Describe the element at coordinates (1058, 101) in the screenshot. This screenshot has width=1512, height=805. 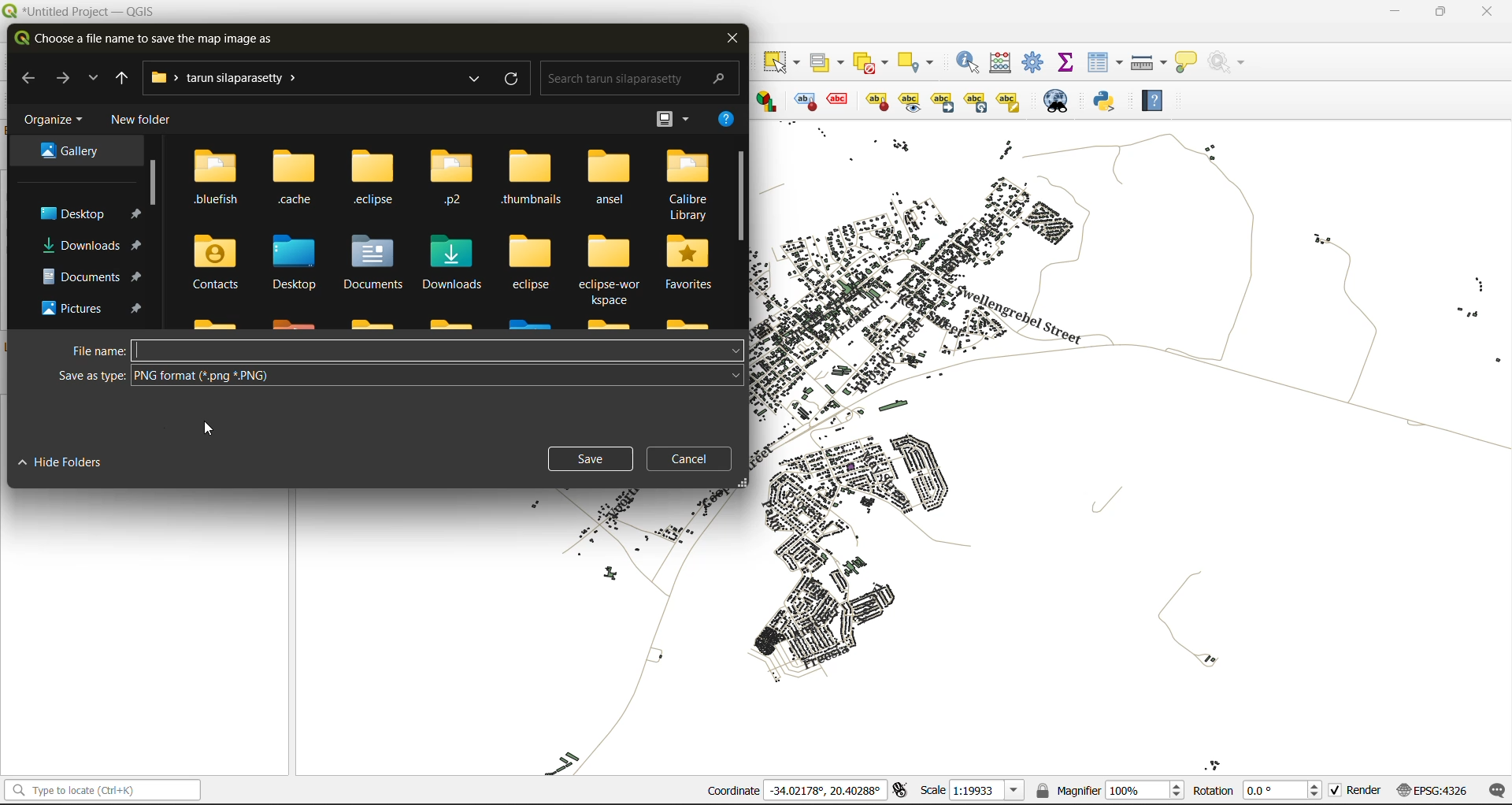
I see `metasearch` at that location.